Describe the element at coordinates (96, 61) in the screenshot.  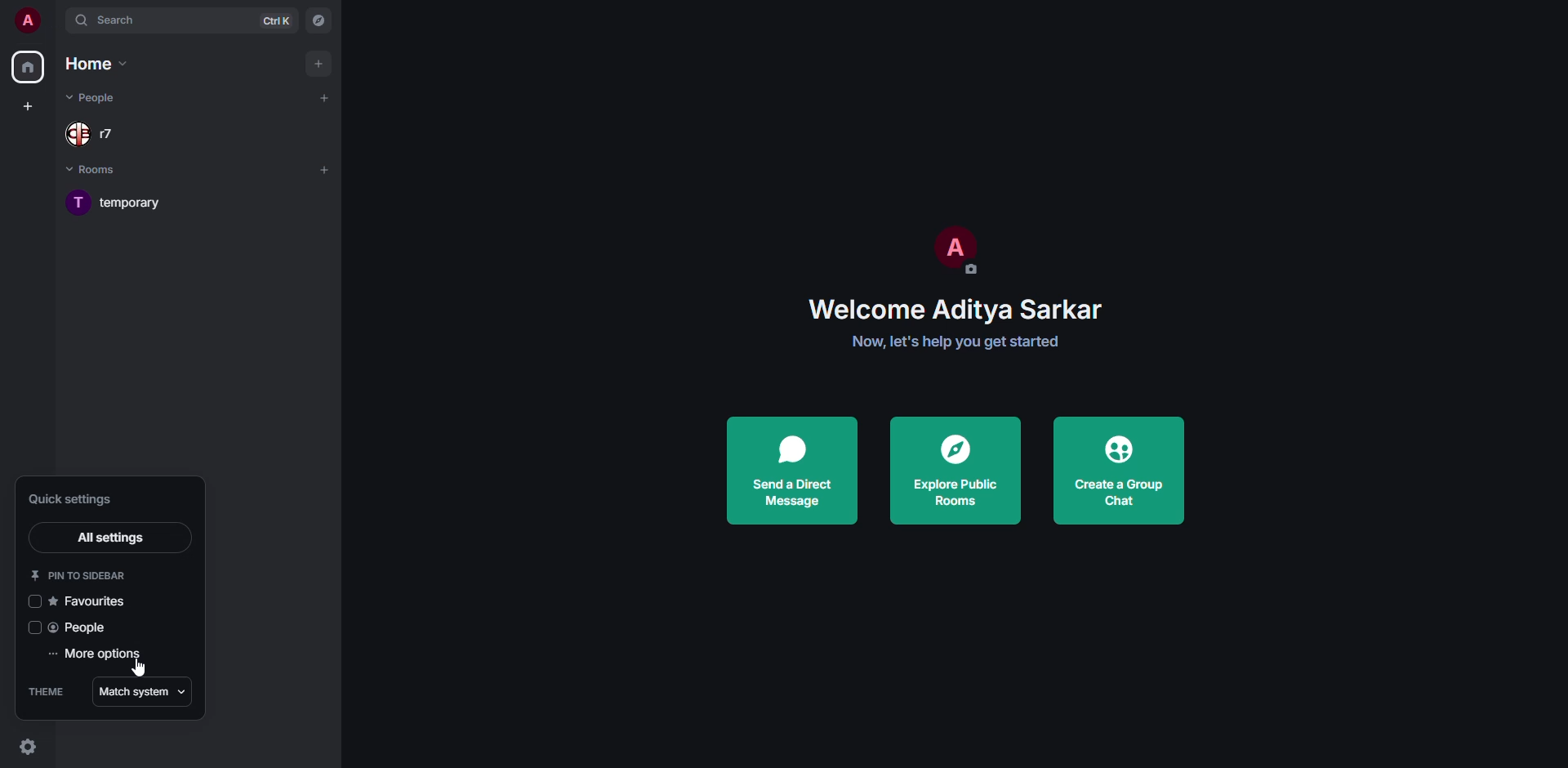
I see `home` at that location.